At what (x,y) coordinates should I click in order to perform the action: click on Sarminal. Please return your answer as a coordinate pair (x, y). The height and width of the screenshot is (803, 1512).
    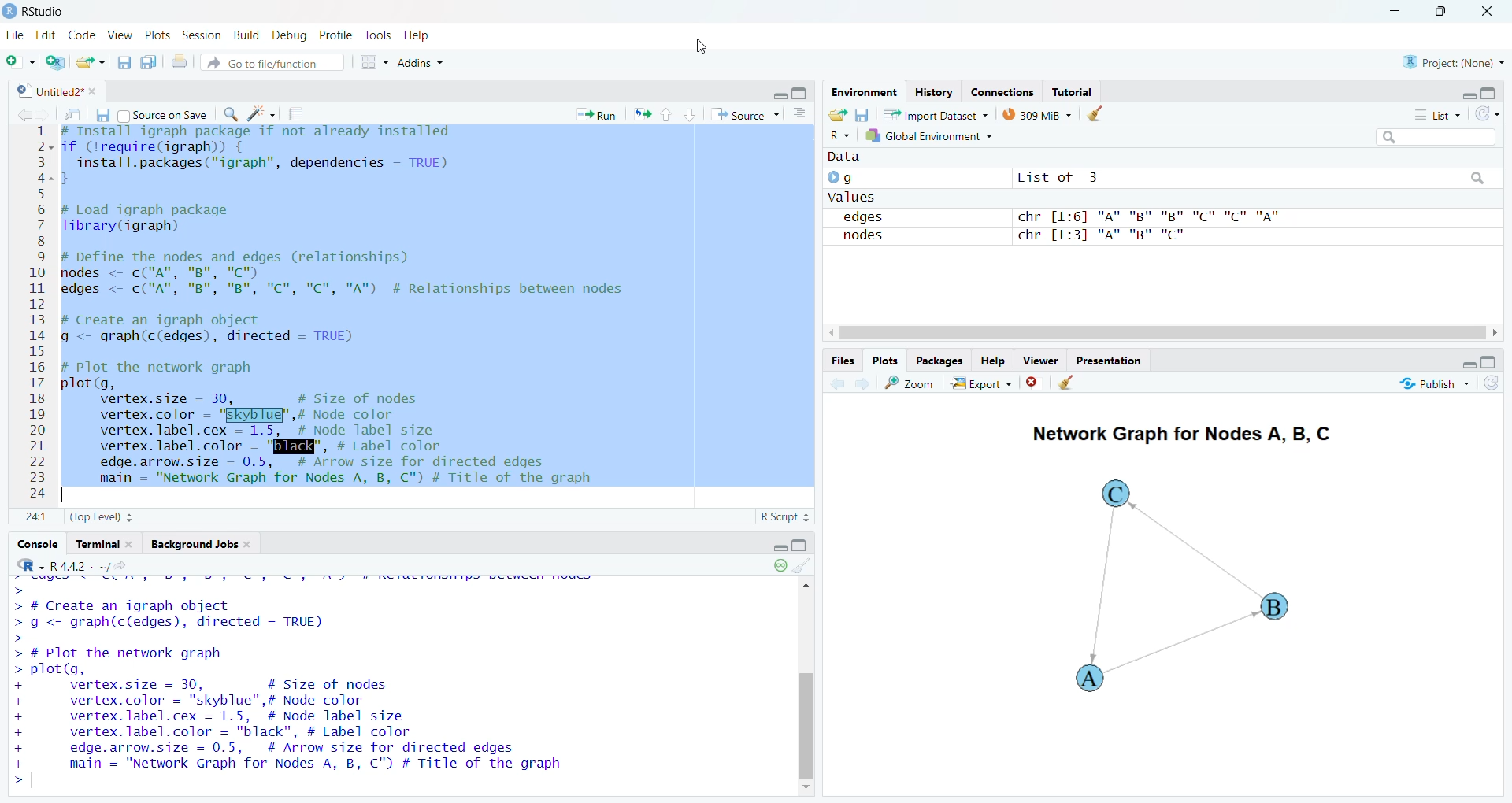
    Looking at the image, I should click on (104, 542).